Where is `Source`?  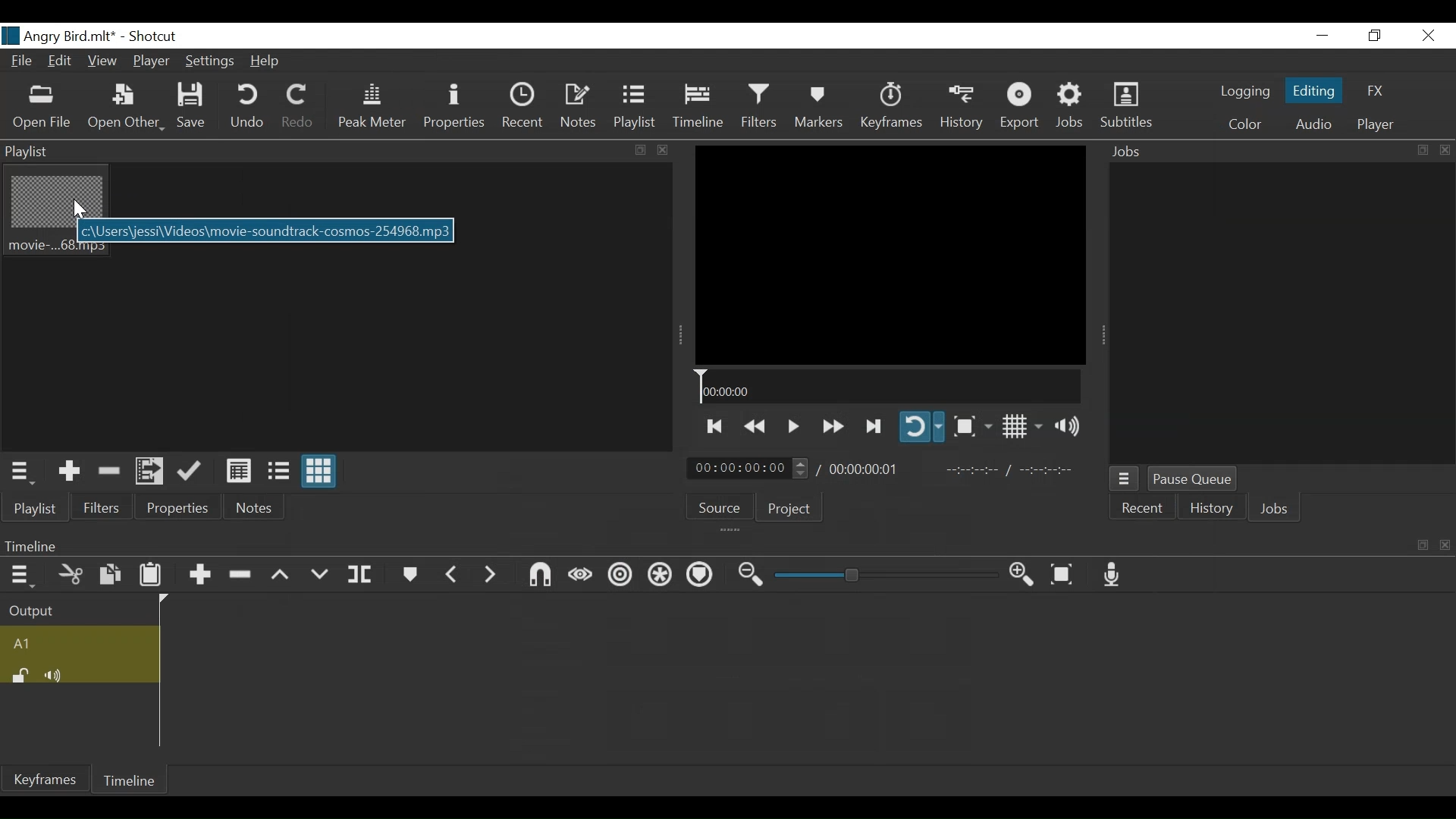 Source is located at coordinates (722, 507).